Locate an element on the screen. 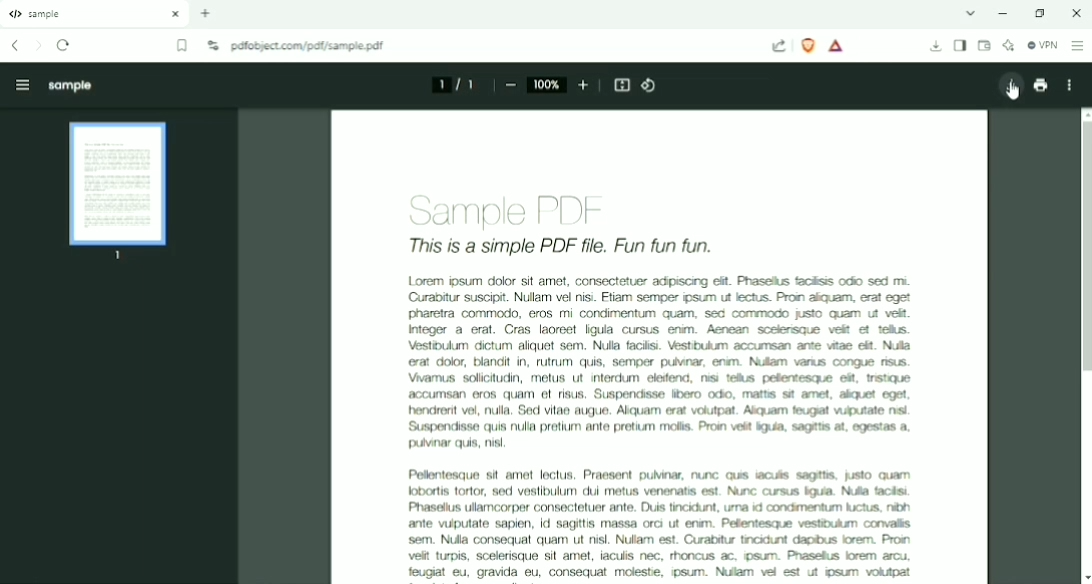 The width and height of the screenshot is (1092, 584). Close is located at coordinates (1074, 13).